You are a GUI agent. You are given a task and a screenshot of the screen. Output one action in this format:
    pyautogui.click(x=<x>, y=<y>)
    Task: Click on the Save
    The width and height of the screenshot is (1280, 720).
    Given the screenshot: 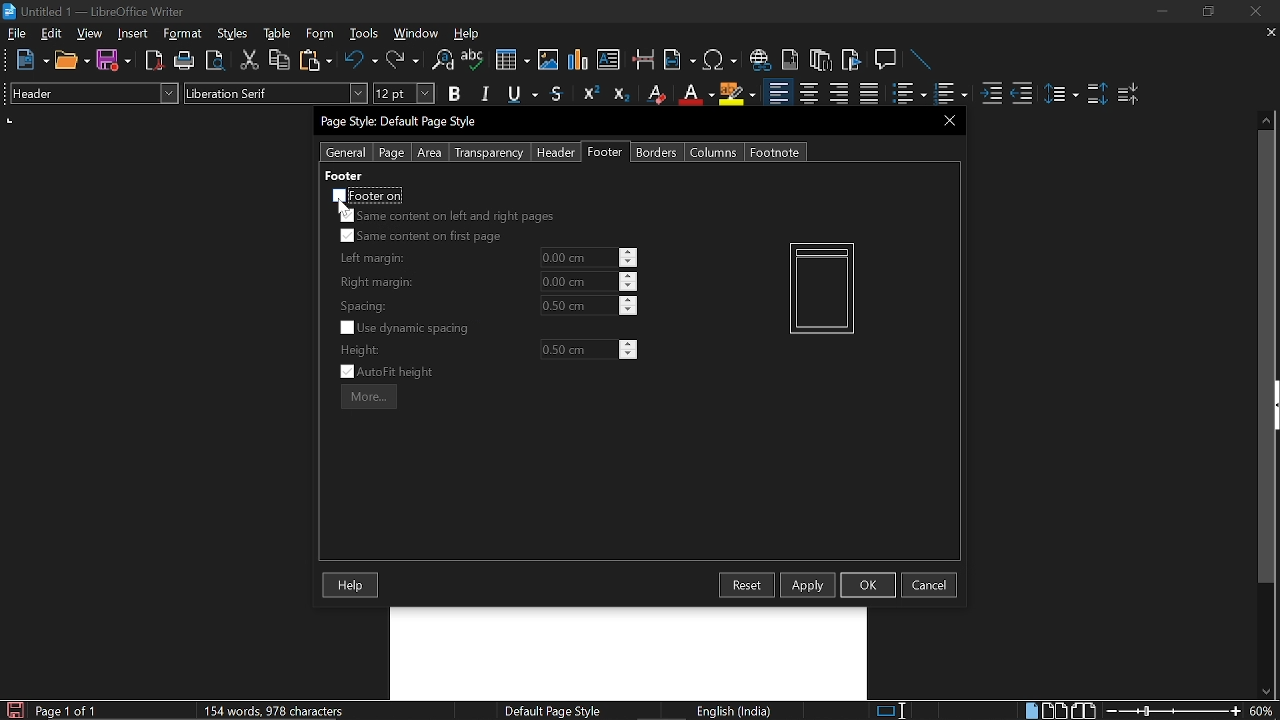 What is the action you would take?
    pyautogui.click(x=114, y=61)
    